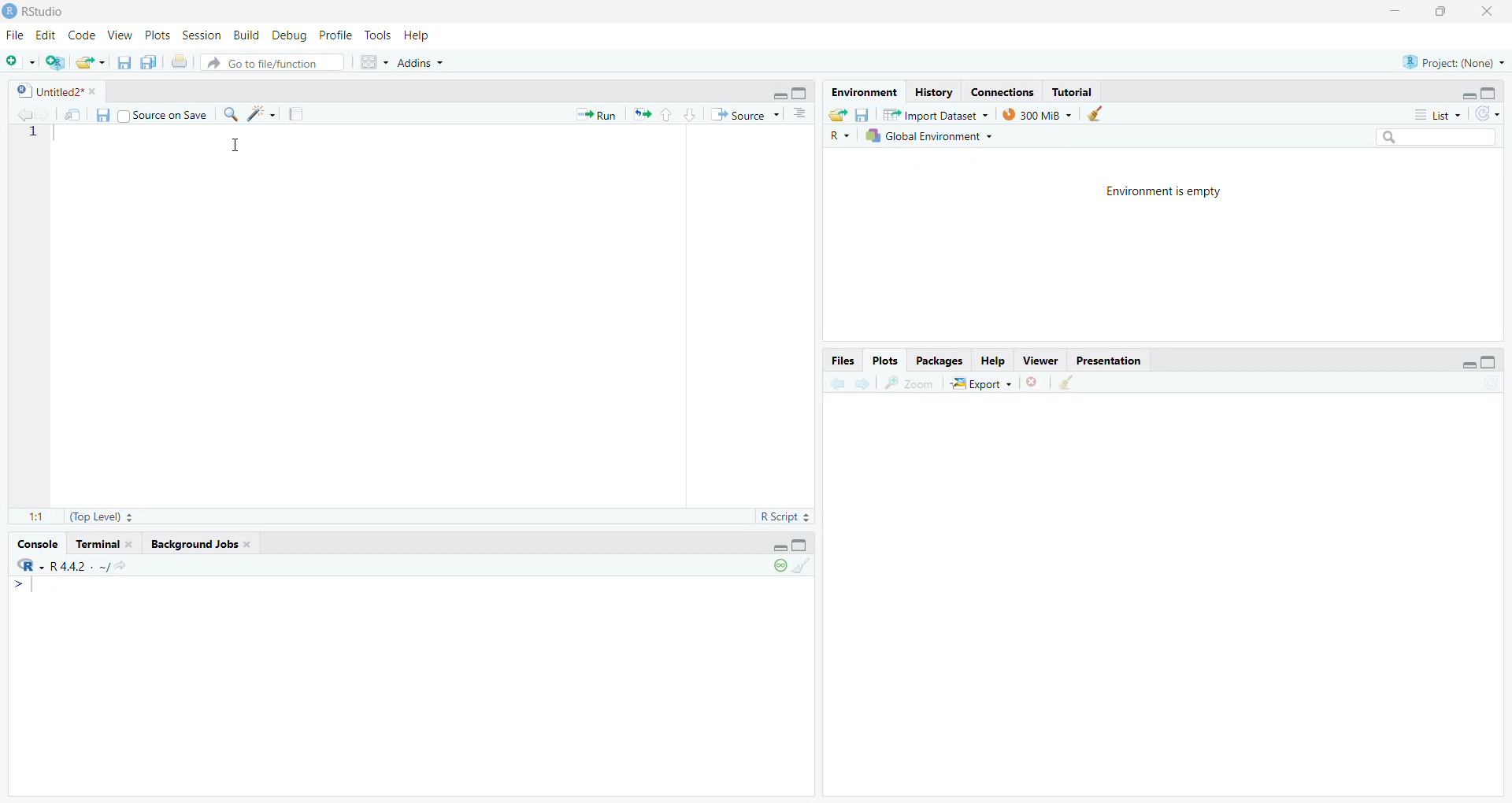 Image resolution: width=1512 pixels, height=803 pixels. What do you see at coordinates (778, 94) in the screenshot?
I see `hide r script` at bounding box center [778, 94].